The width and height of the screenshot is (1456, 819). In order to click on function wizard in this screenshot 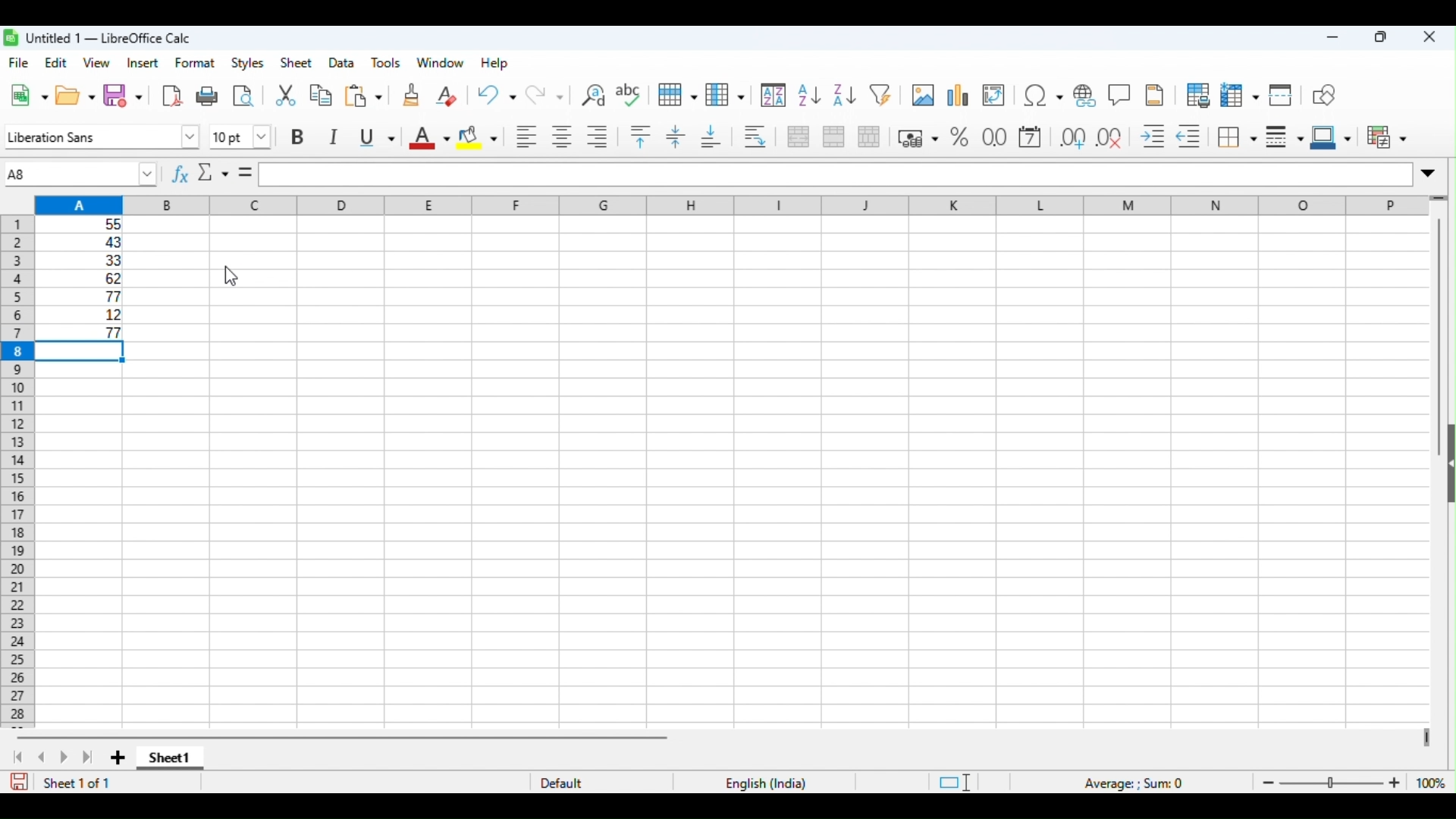, I will do `click(180, 174)`.